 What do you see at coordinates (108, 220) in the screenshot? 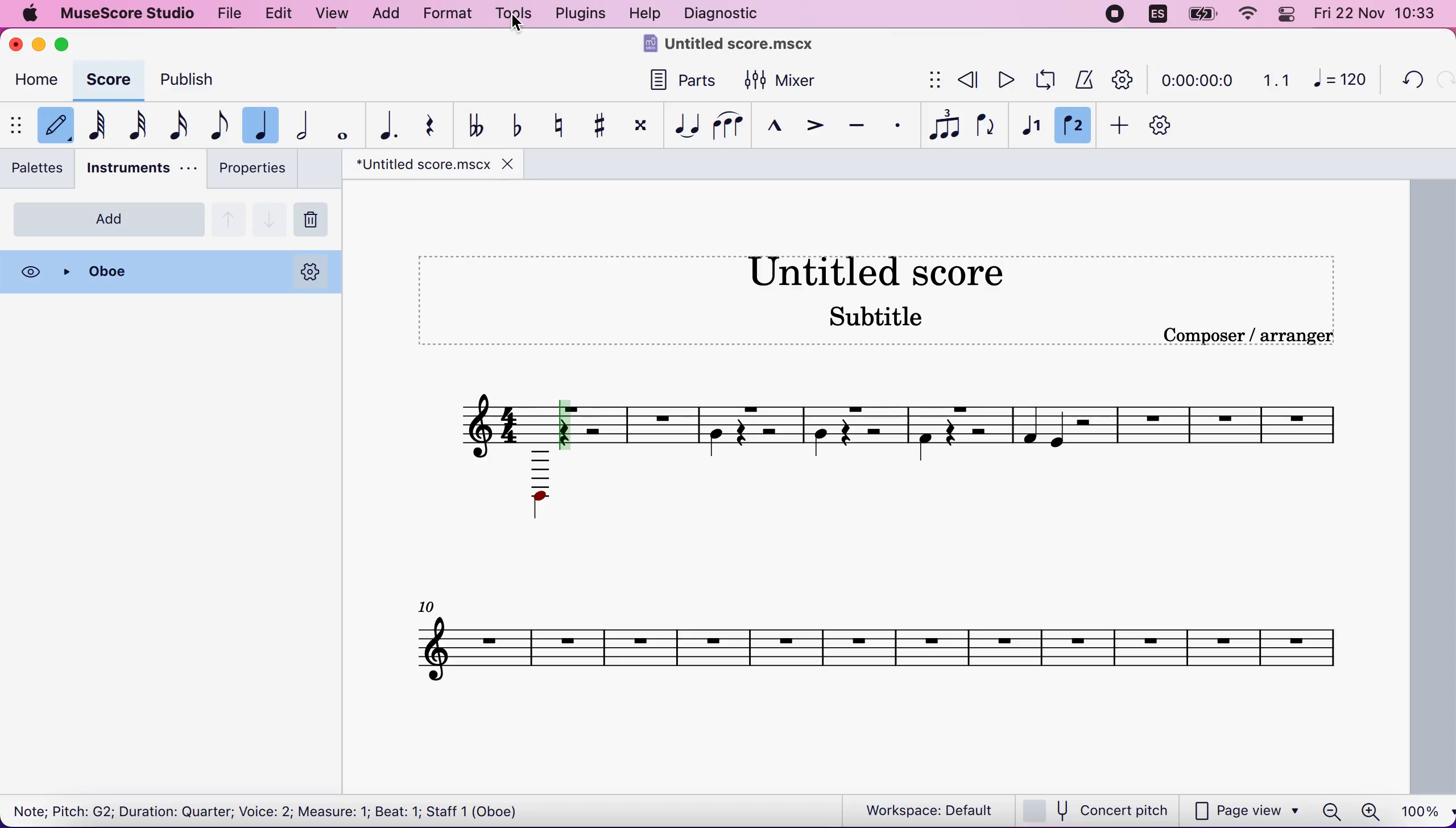
I see `add` at bounding box center [108, 220].